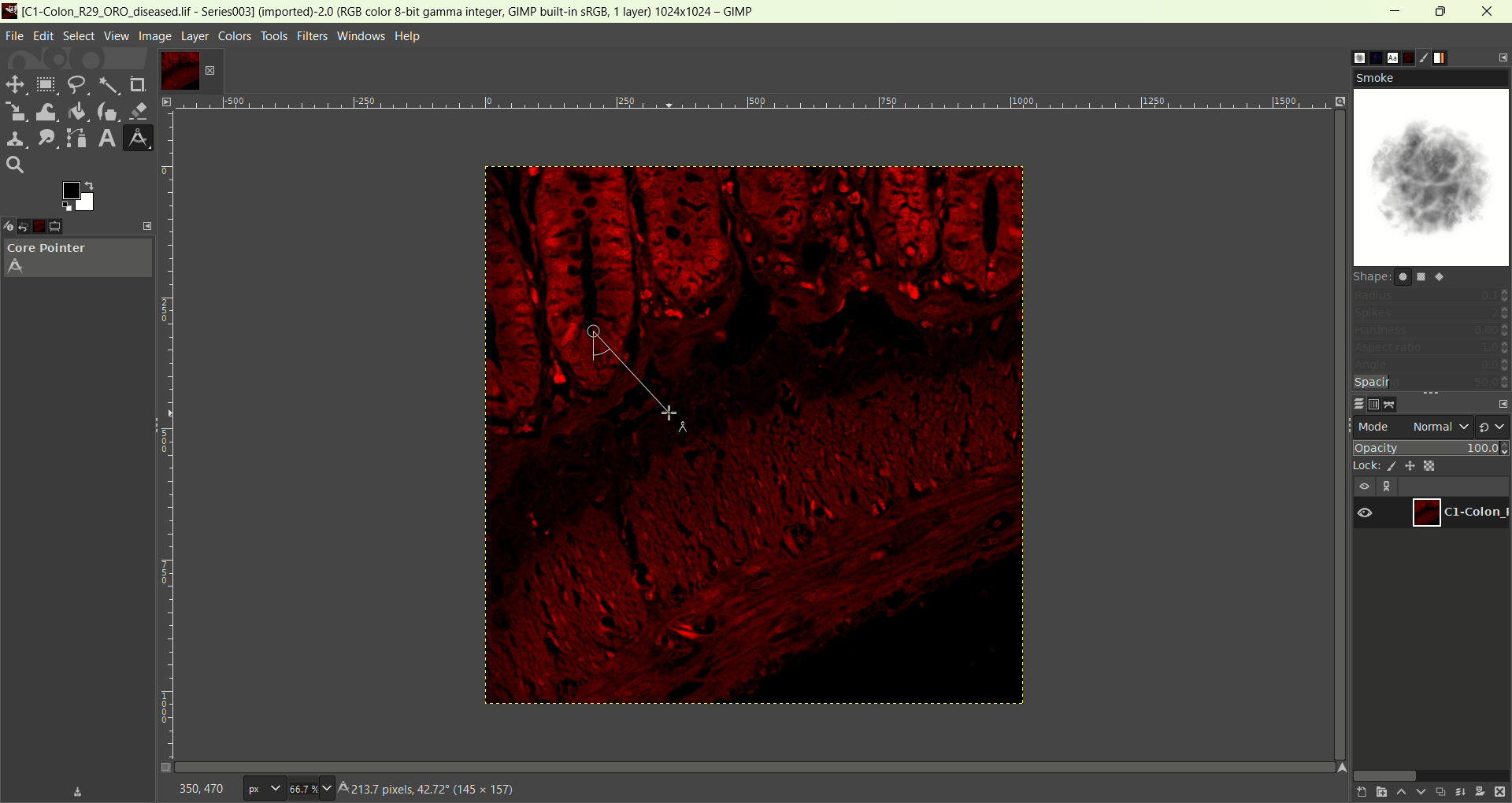  I want to click on pattern, so click(1366, 55).